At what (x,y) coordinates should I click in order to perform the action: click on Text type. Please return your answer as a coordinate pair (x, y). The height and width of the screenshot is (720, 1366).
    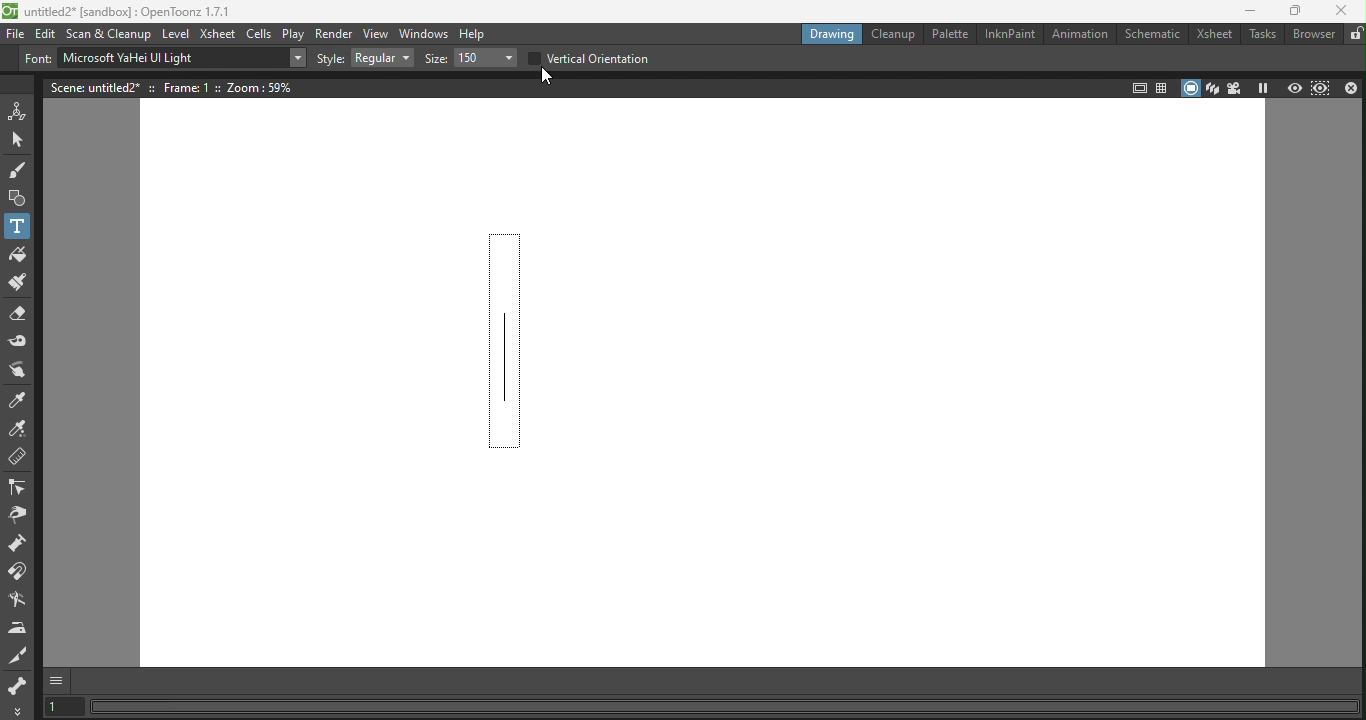
    Looking at the image, I should click on (171, 58).